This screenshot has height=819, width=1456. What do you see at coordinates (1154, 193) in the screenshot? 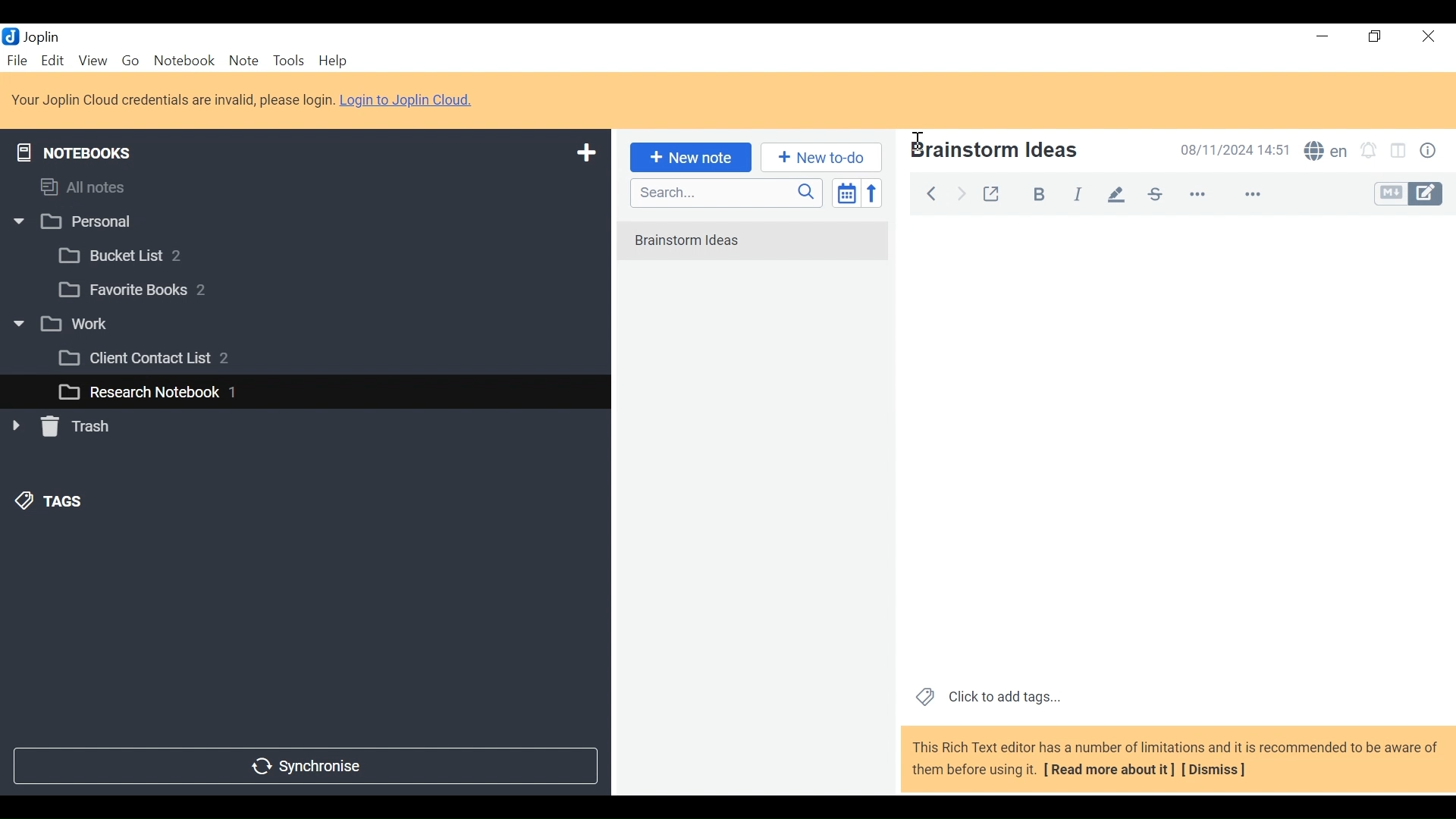
I see `strikethrough` at bounding box center [1154, 193].